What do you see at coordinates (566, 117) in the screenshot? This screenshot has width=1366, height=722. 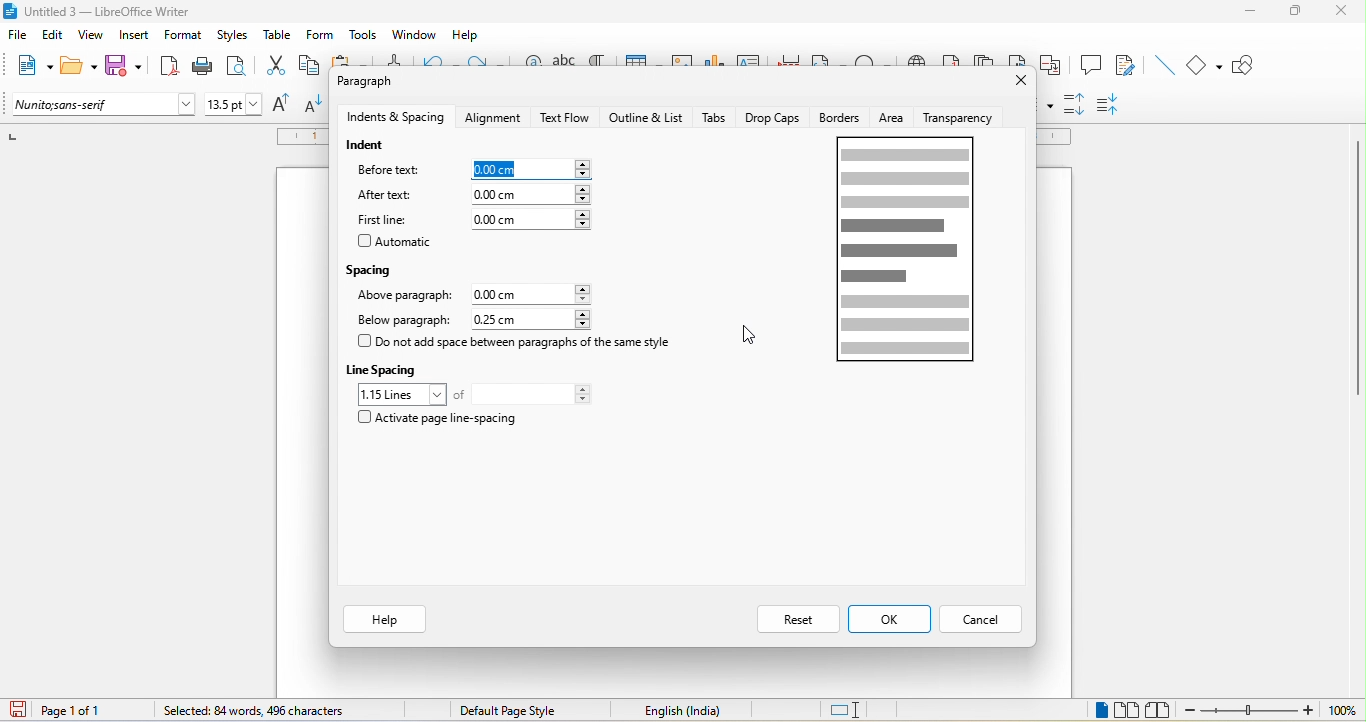 I see `text flow` at bounding box center [566, 117].